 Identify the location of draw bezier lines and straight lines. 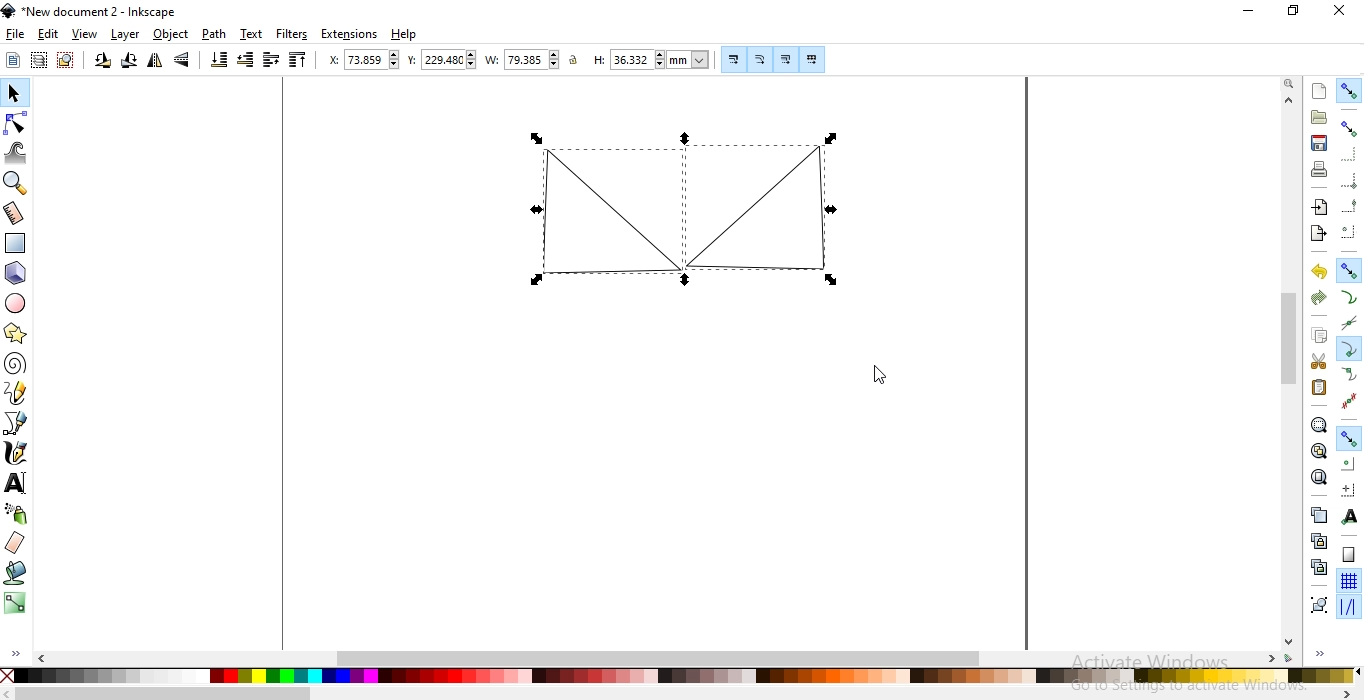
(18, 425).